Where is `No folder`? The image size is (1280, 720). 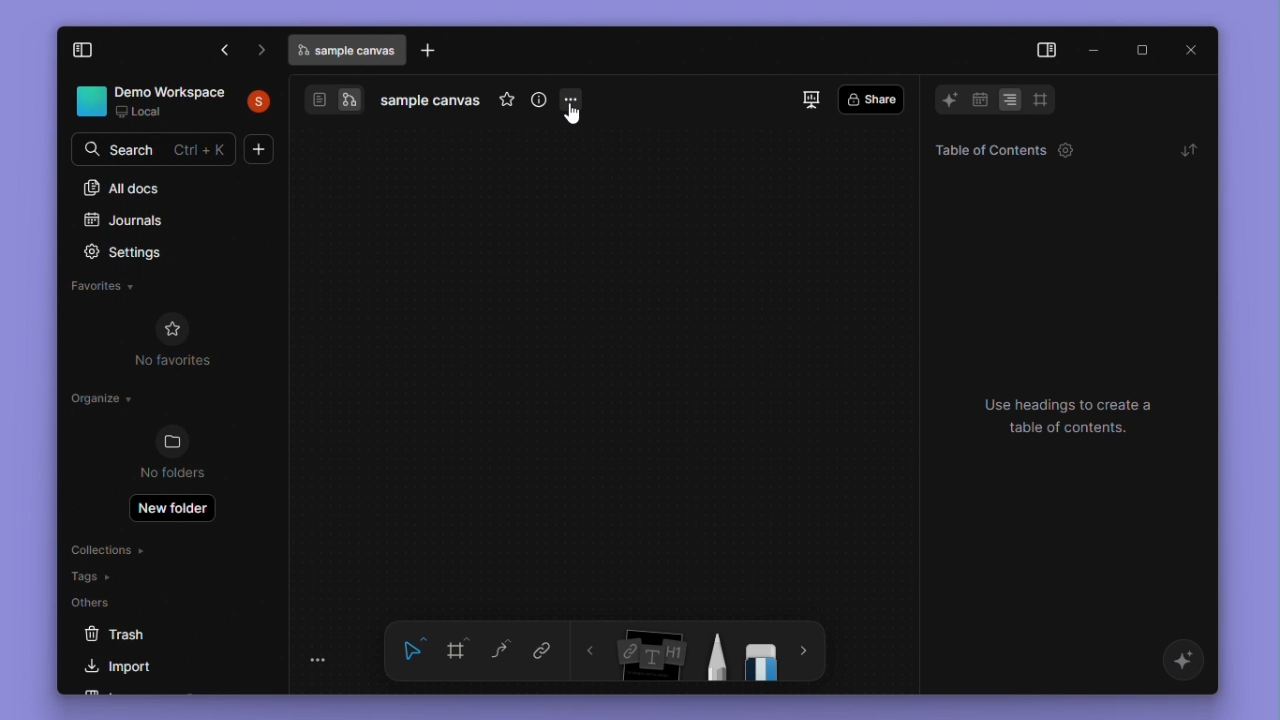 No folder is located at coordinates (174, 454).